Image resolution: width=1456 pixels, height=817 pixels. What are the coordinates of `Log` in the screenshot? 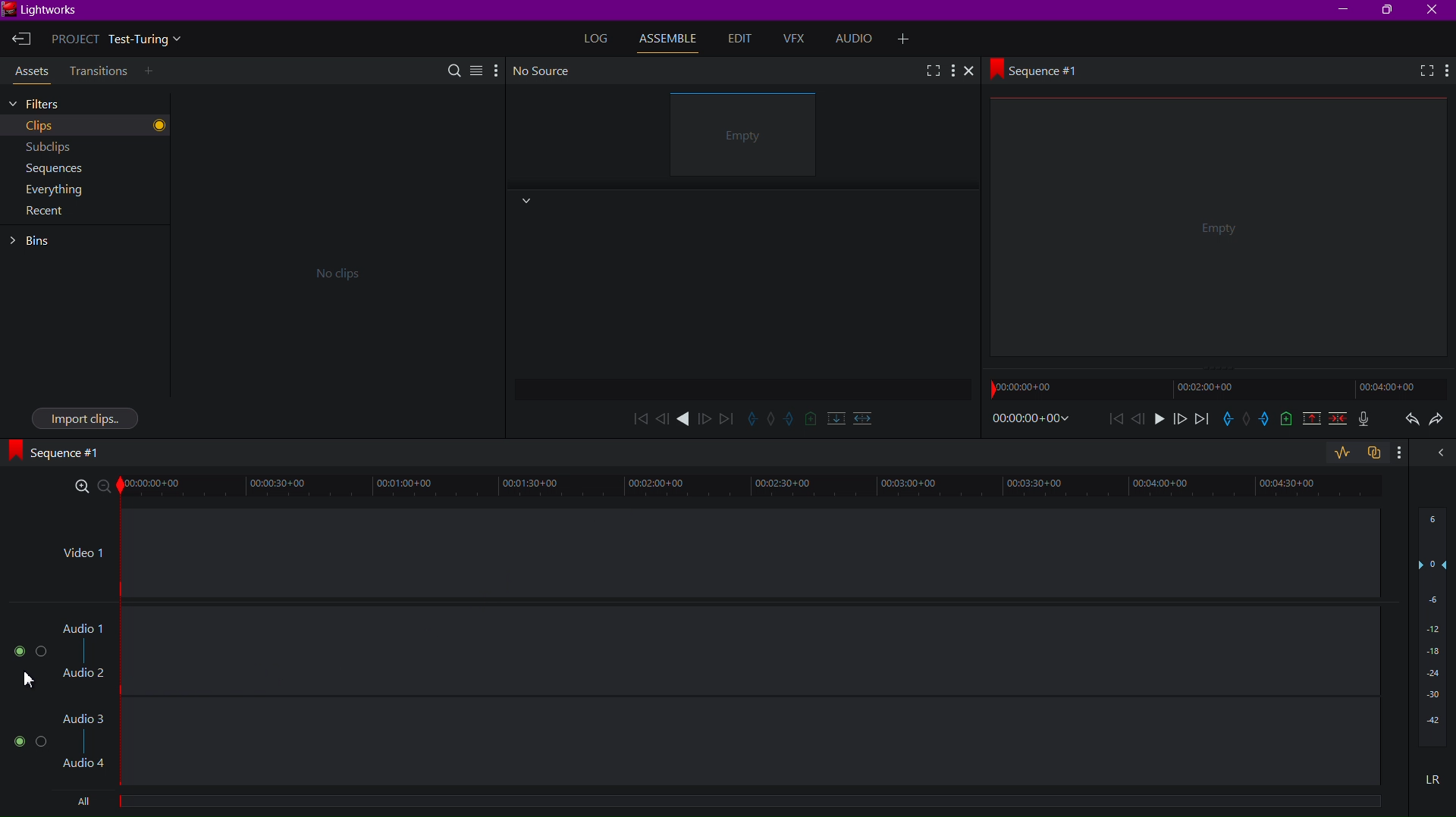 It's located at (598, 36).